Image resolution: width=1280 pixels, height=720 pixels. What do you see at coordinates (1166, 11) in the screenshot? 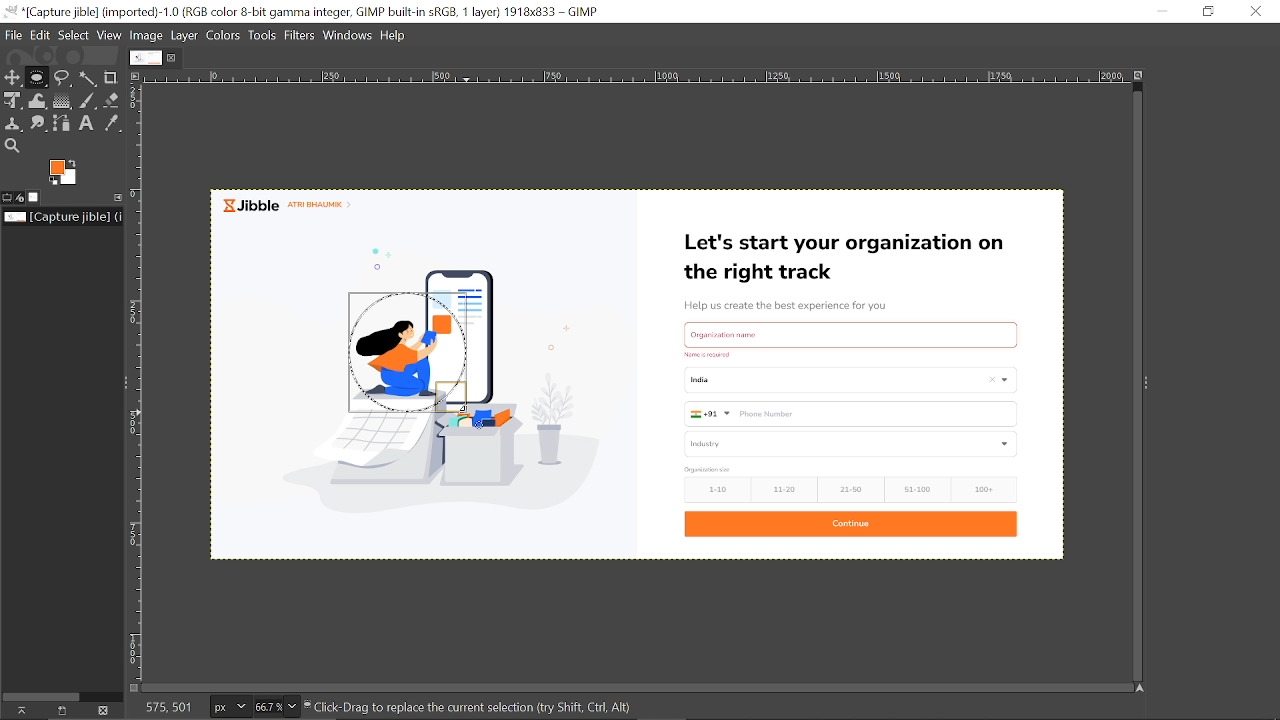
I see `Minimize` at bounding box center [1166, 11].